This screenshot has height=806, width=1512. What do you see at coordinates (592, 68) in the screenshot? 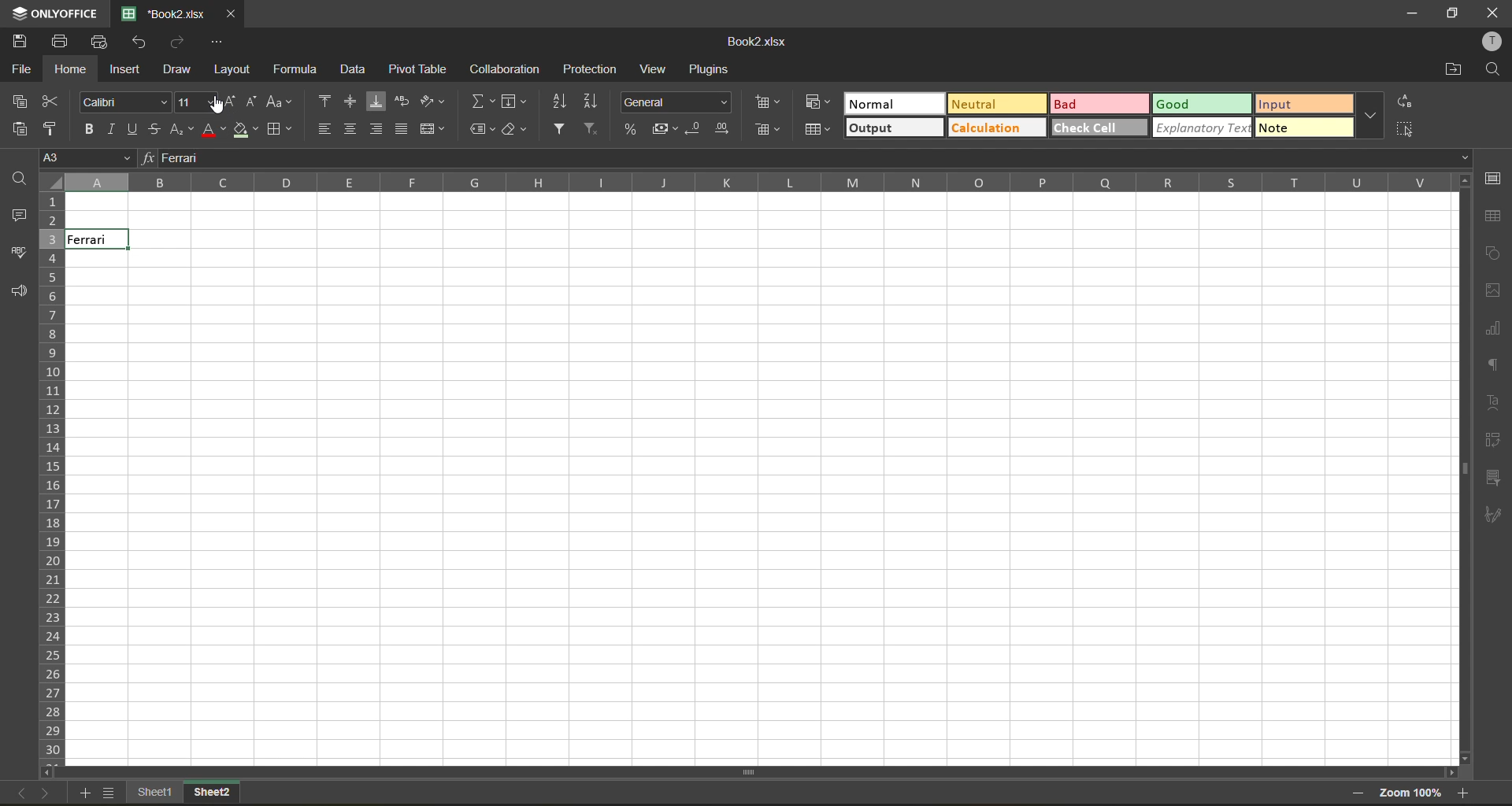
I see `protection` at bounding box center [592, 68].